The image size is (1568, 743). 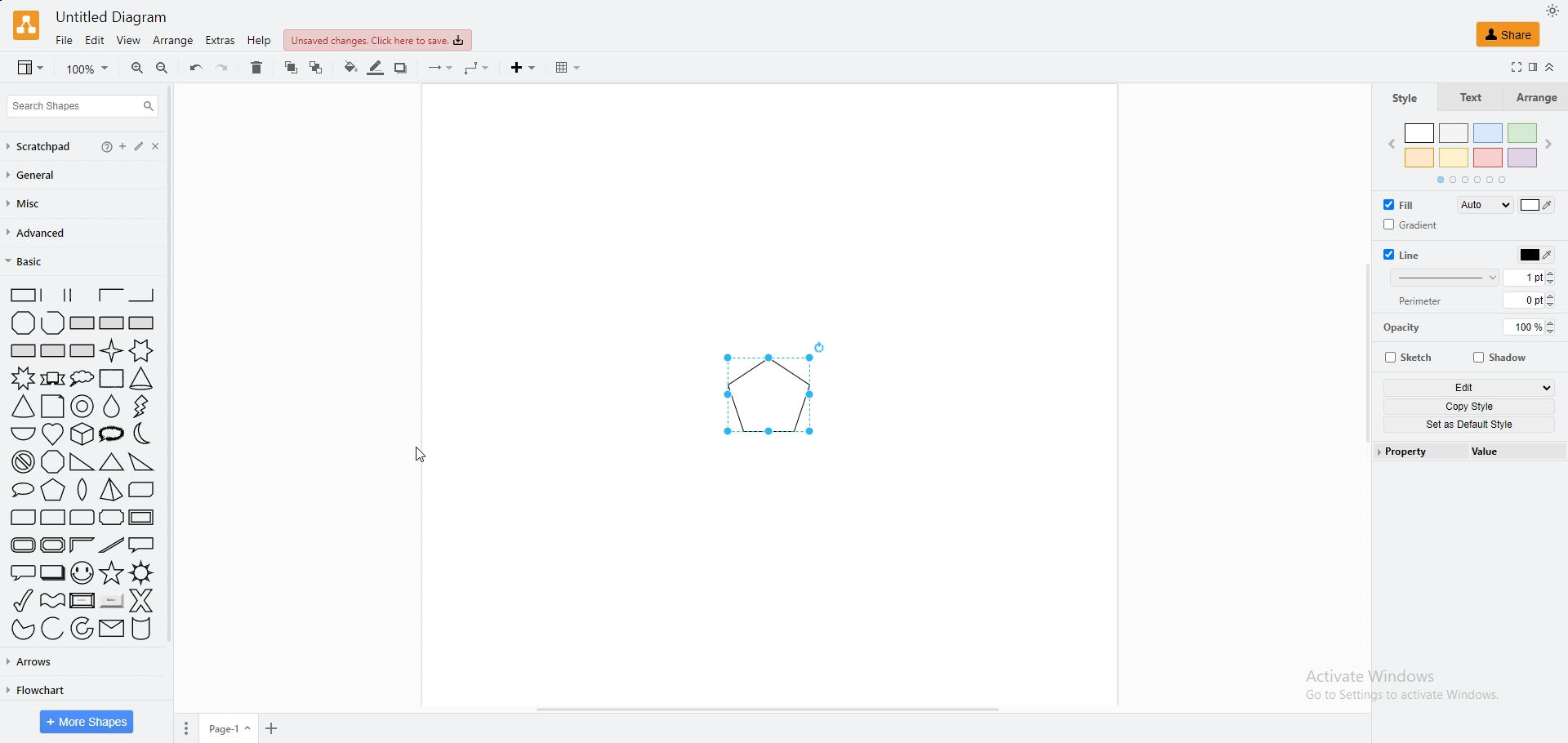 What do you see at coordinates (111, 295) in the screenshot?
I see `partial rectangle` at bounding box center [111, 295].